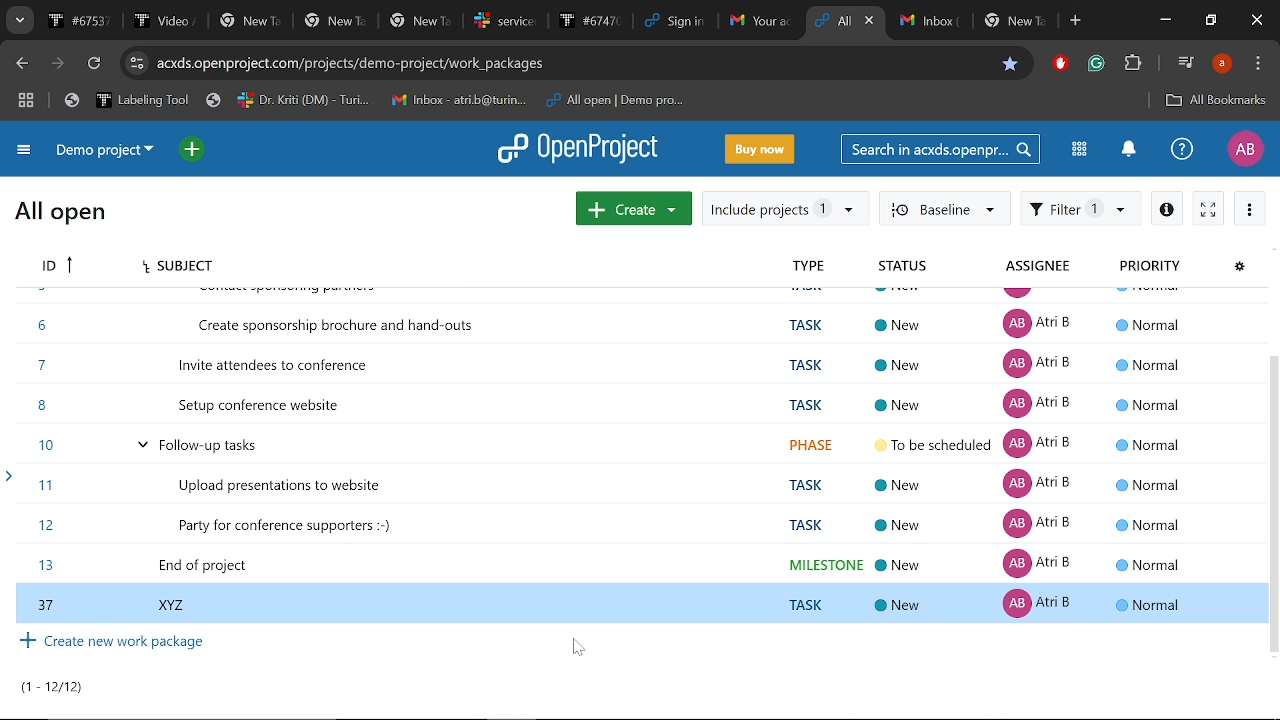  What do you see at coordinates (113, 644) in the screenshot?
I see `Create new work package` at bounding box center [113, 644].